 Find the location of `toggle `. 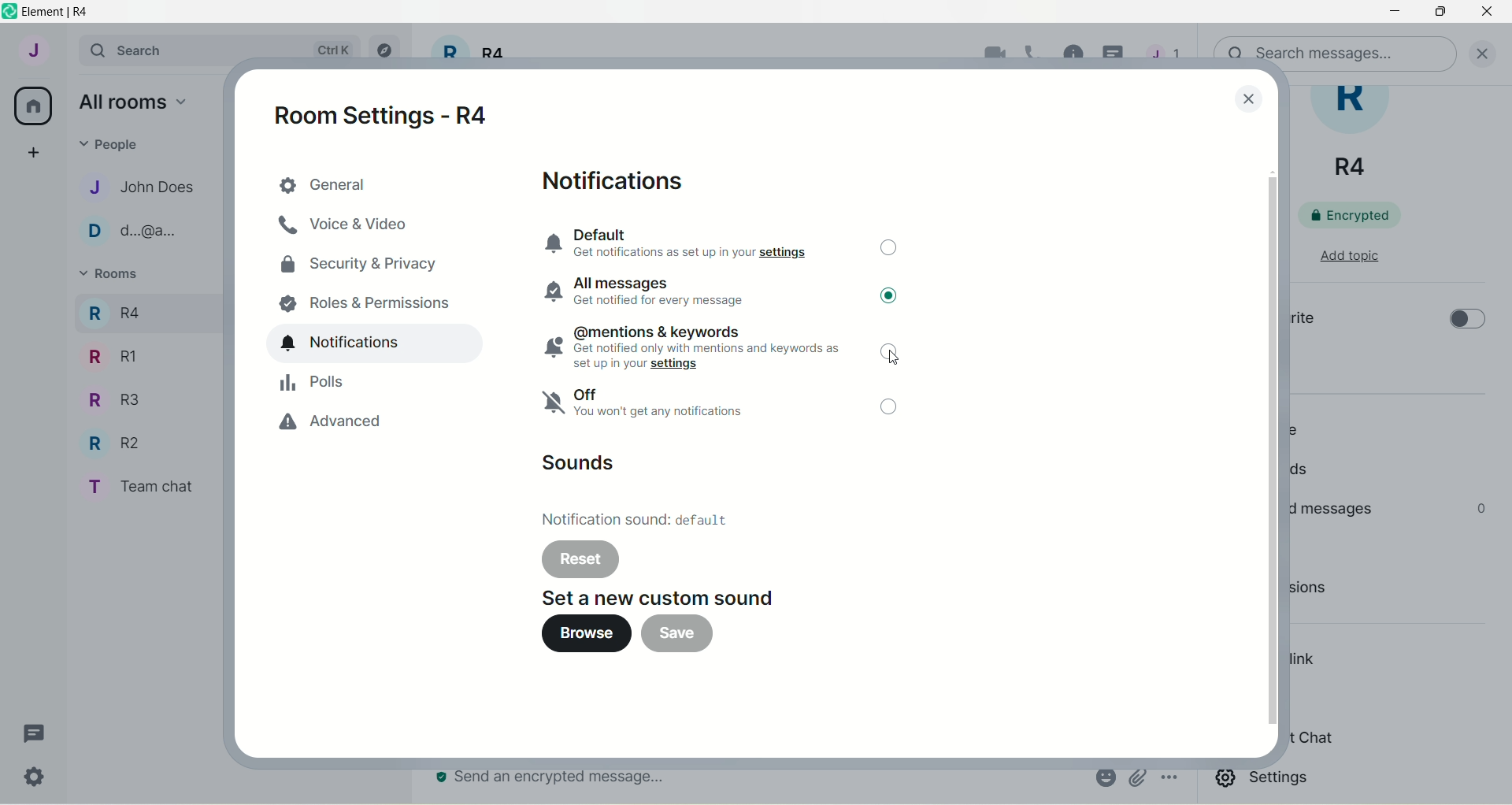

toggle  is located at coordinates (891, 302).